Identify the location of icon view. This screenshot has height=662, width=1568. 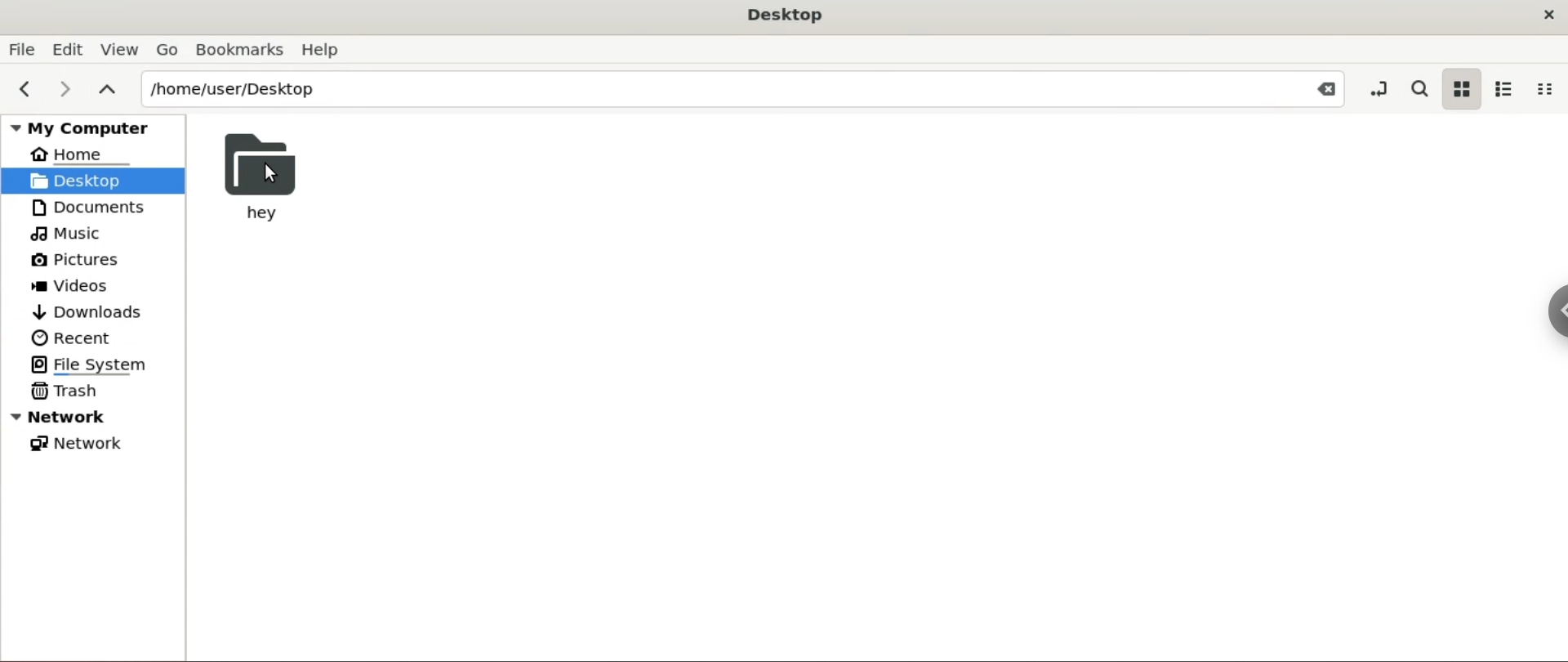
(1459, 89).